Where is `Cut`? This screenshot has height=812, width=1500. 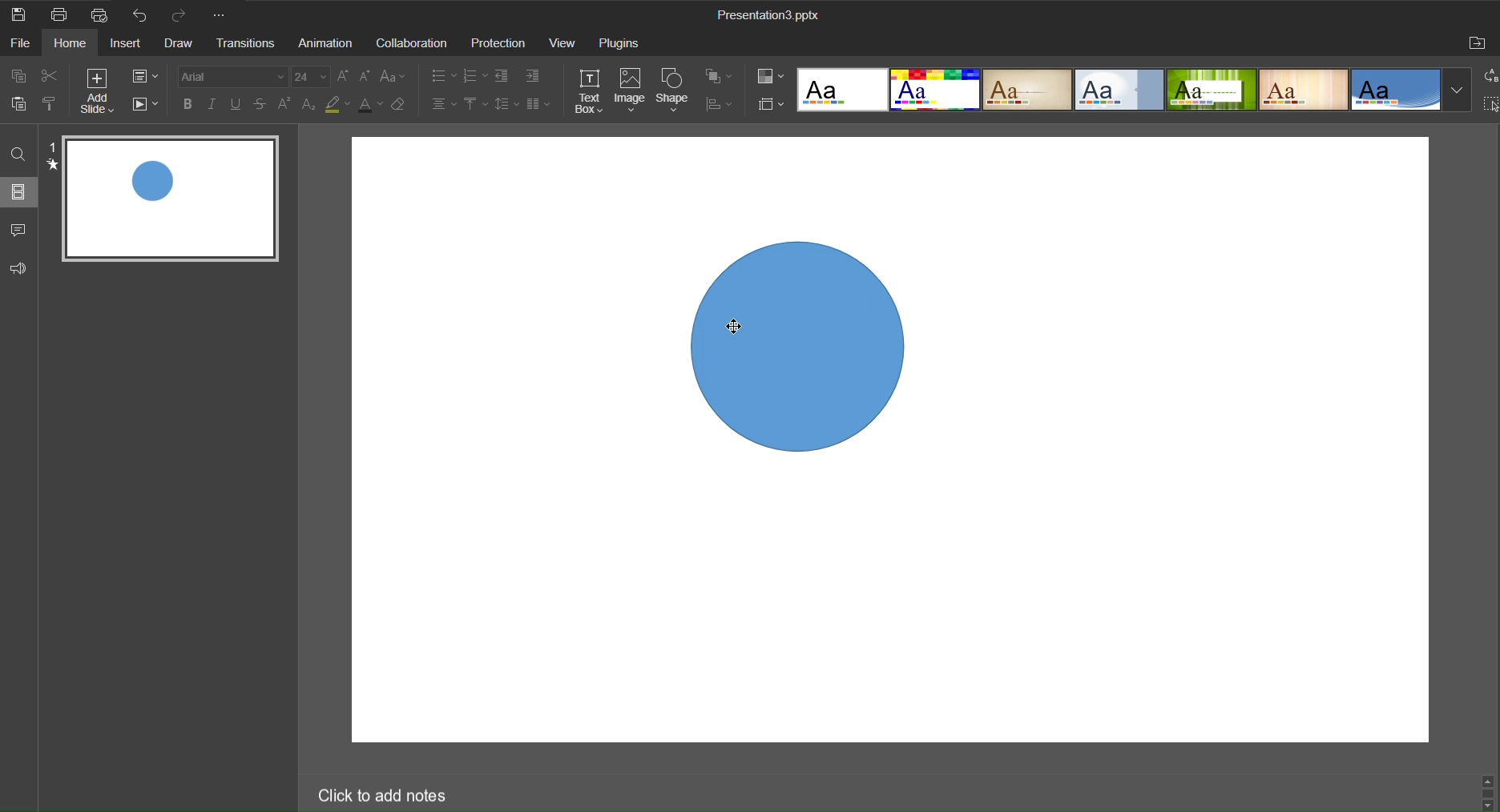
Cut is located at coordinates (54, 77).